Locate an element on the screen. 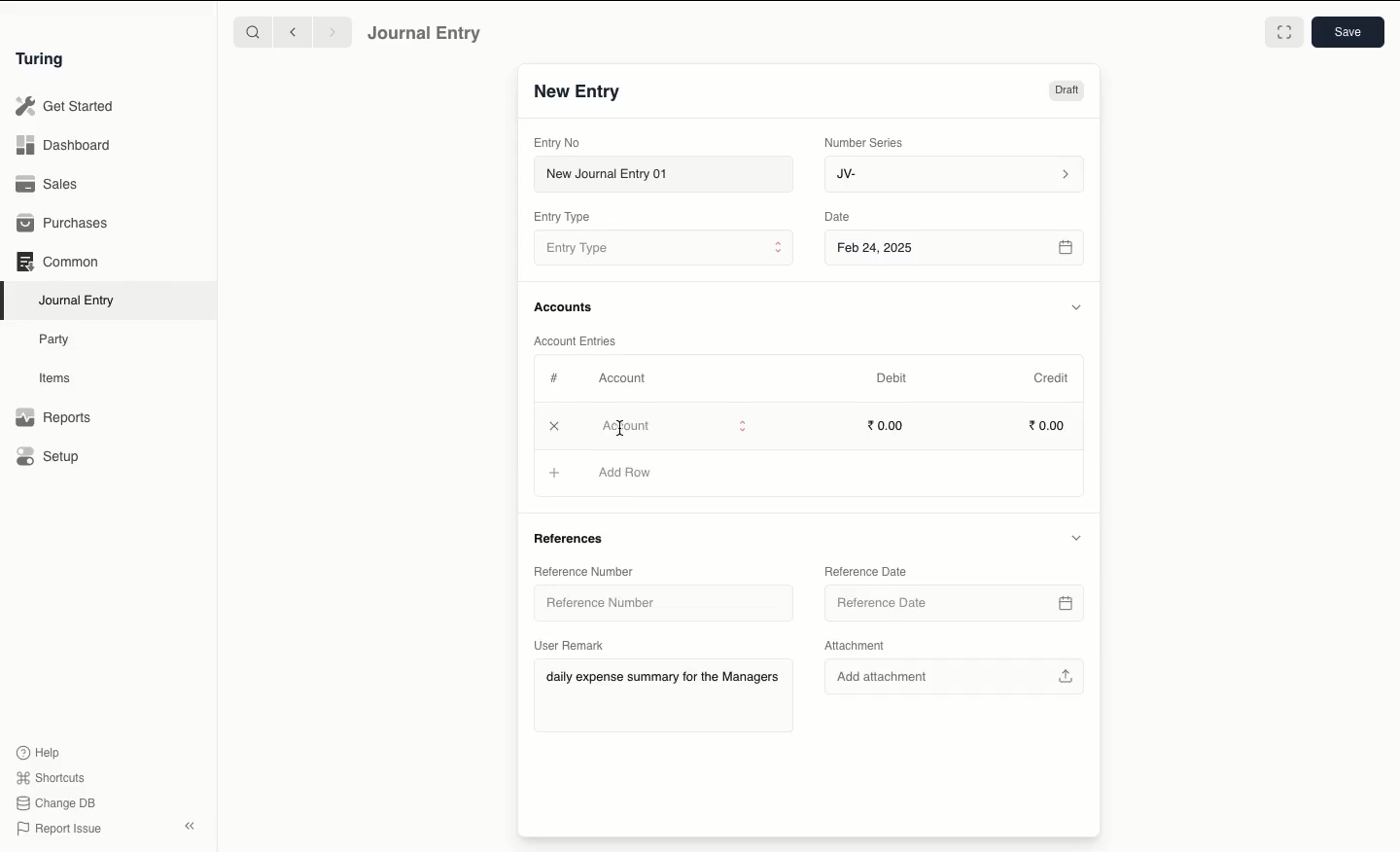  Add Row is located at coordinates (622, 473).